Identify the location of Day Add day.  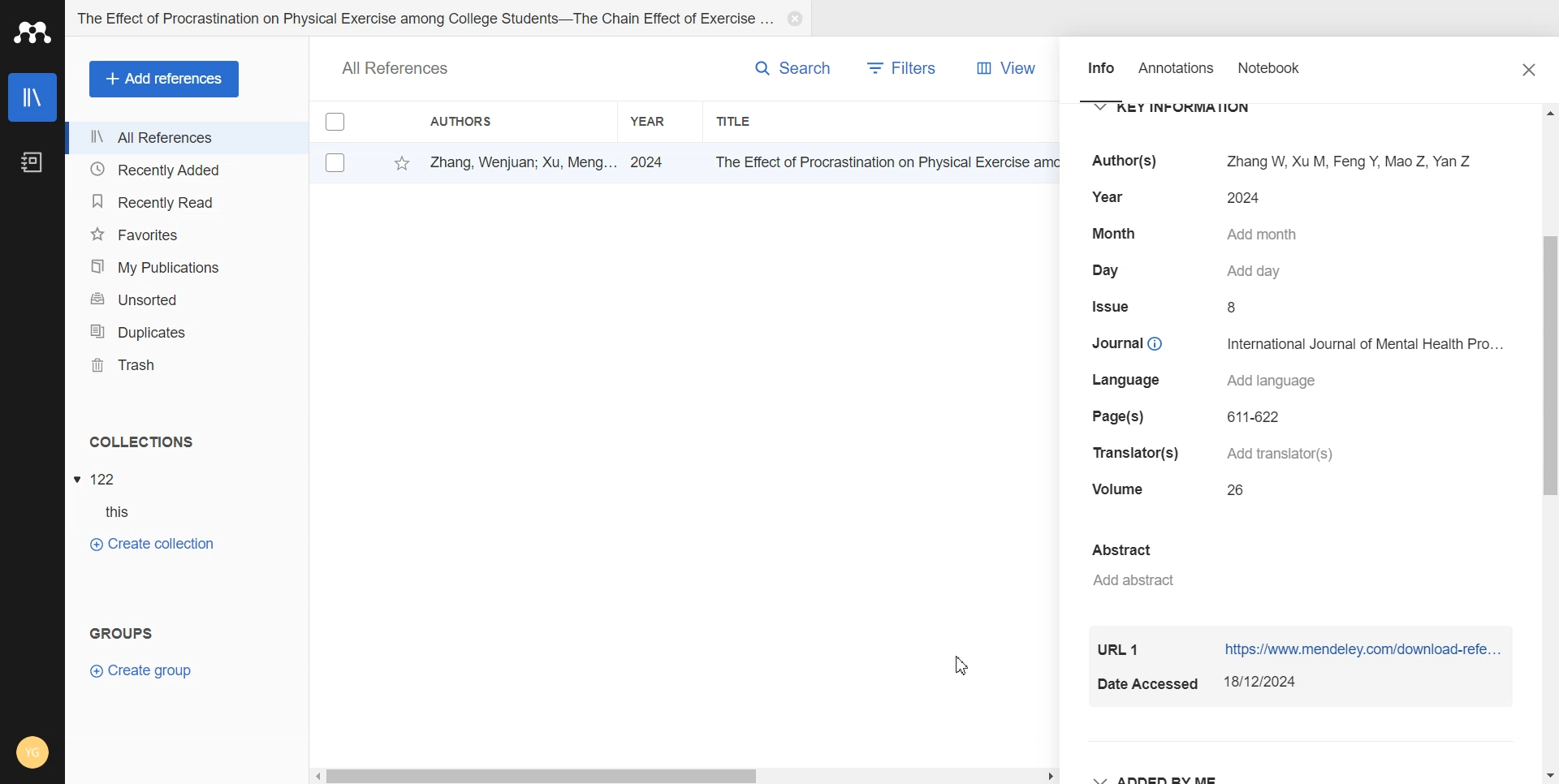
(1193, 271).